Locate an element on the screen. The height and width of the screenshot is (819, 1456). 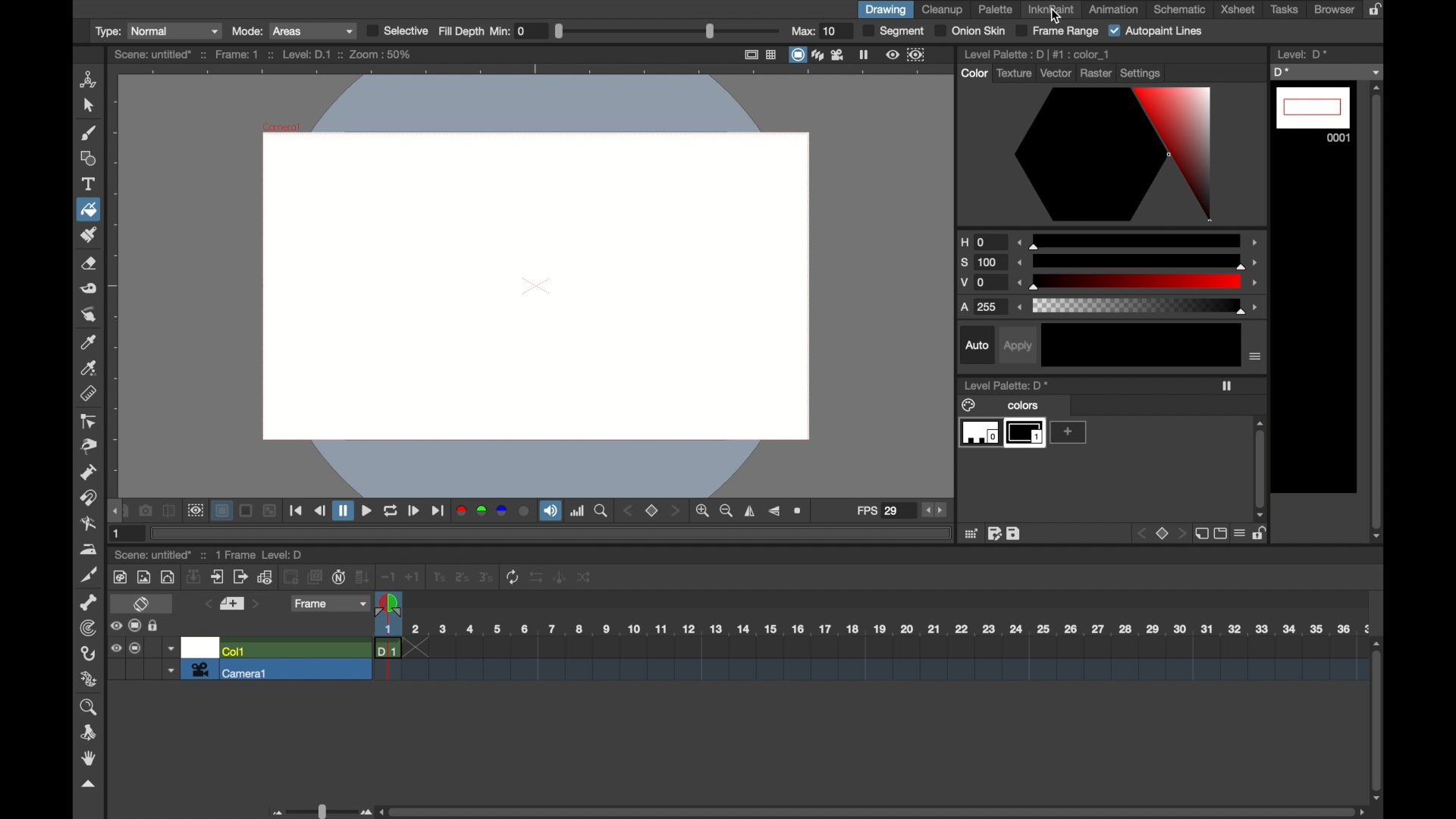
forward is located at coordinates (240, 577).